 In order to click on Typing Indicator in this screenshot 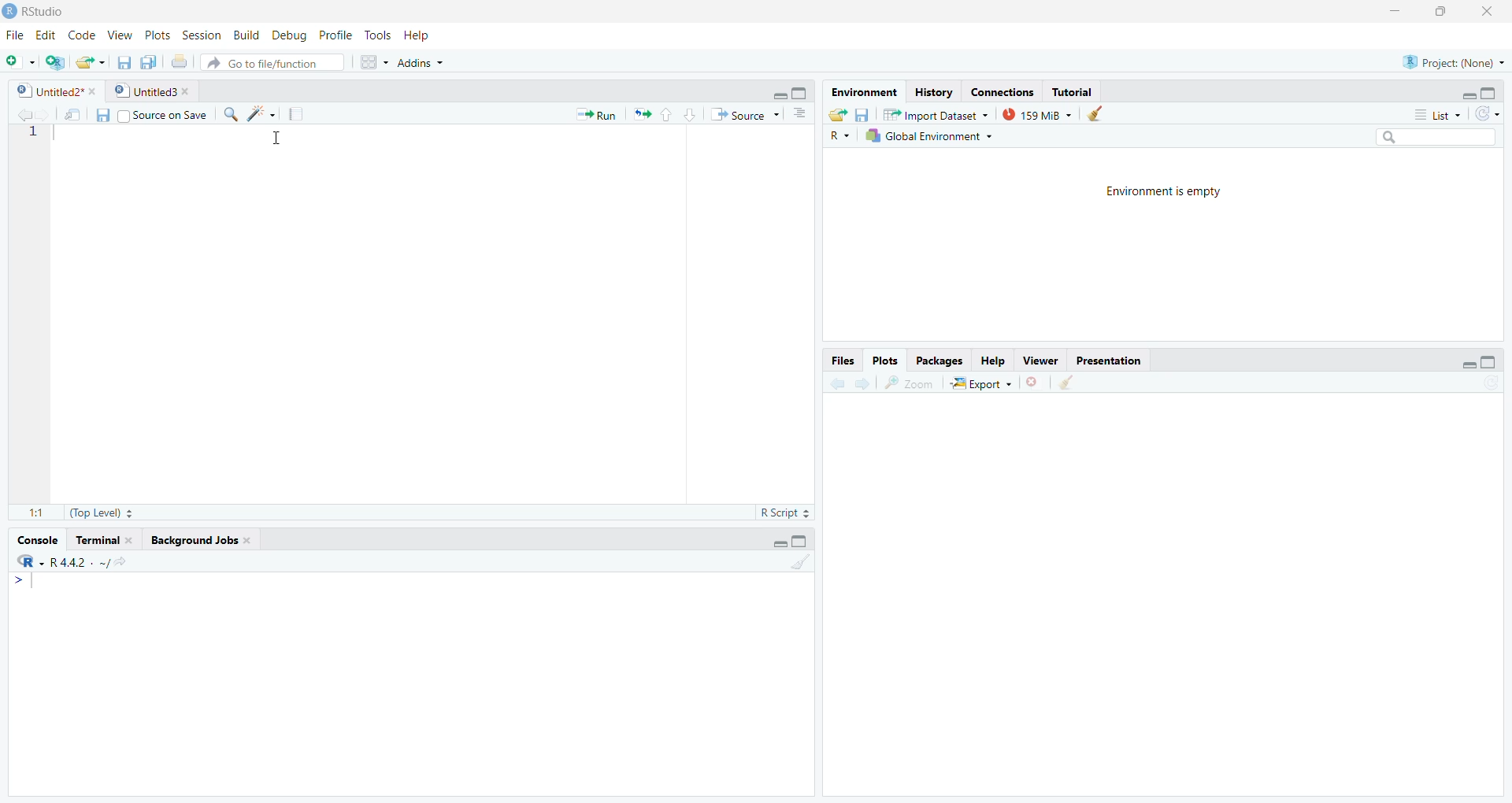, I will do `click(24, 582)`.